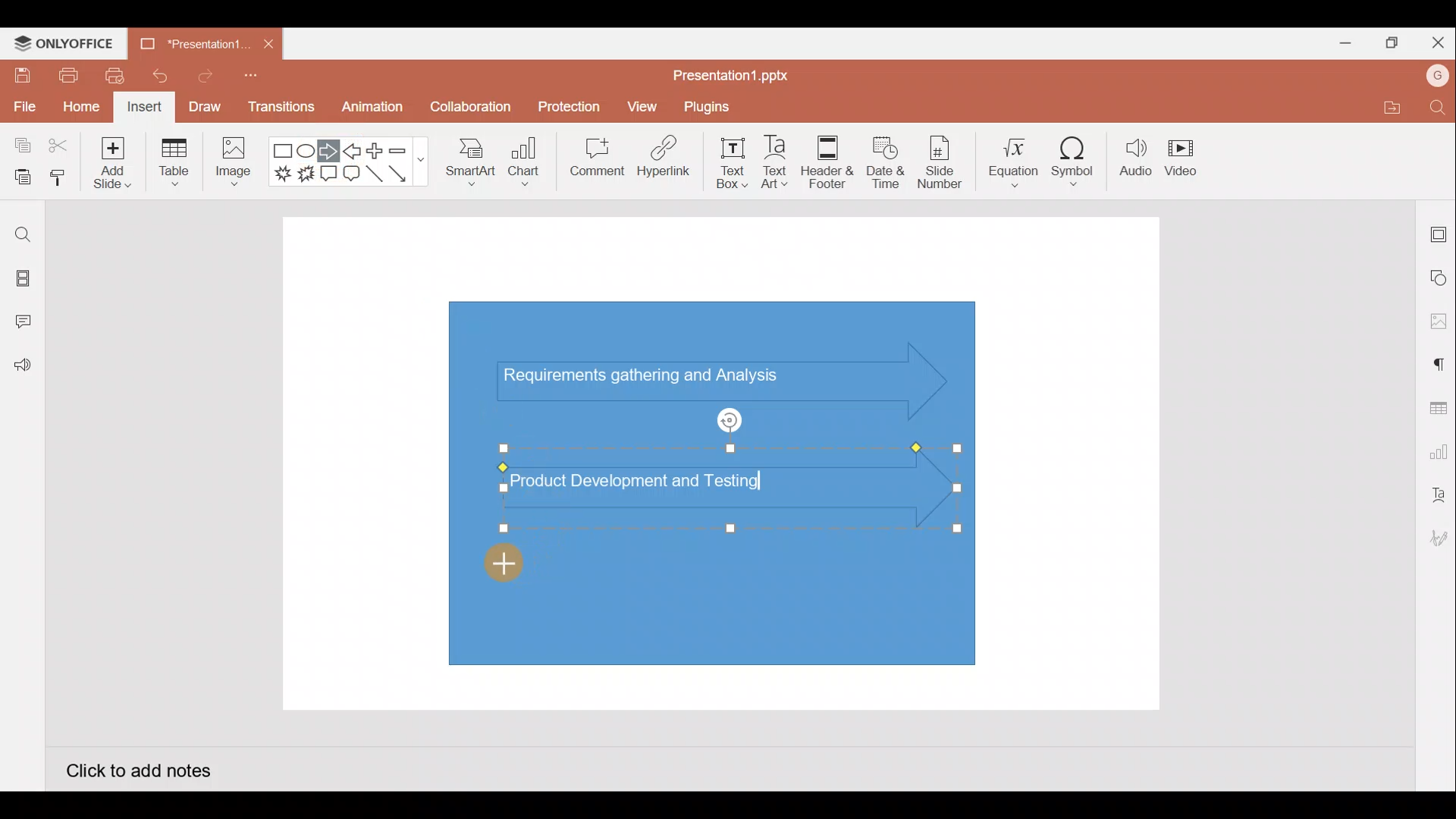  What do you see at coordinates (565, 107) in the screenshot?
I see `Protection` at bounding box center [565, 107].